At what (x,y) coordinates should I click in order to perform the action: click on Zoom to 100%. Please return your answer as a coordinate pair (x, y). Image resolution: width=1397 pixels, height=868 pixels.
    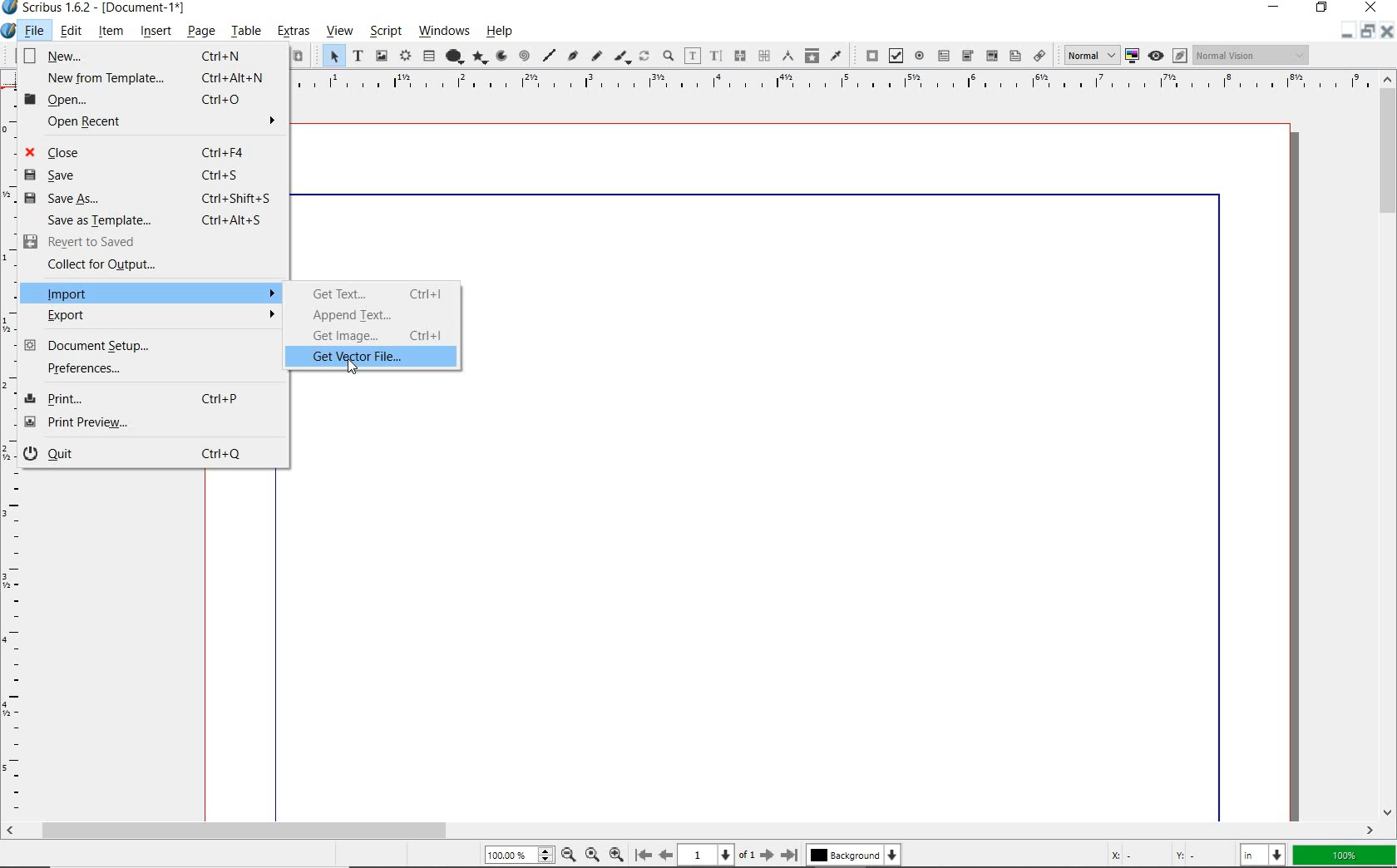
    Looking at the image, I should click on (594, 855).